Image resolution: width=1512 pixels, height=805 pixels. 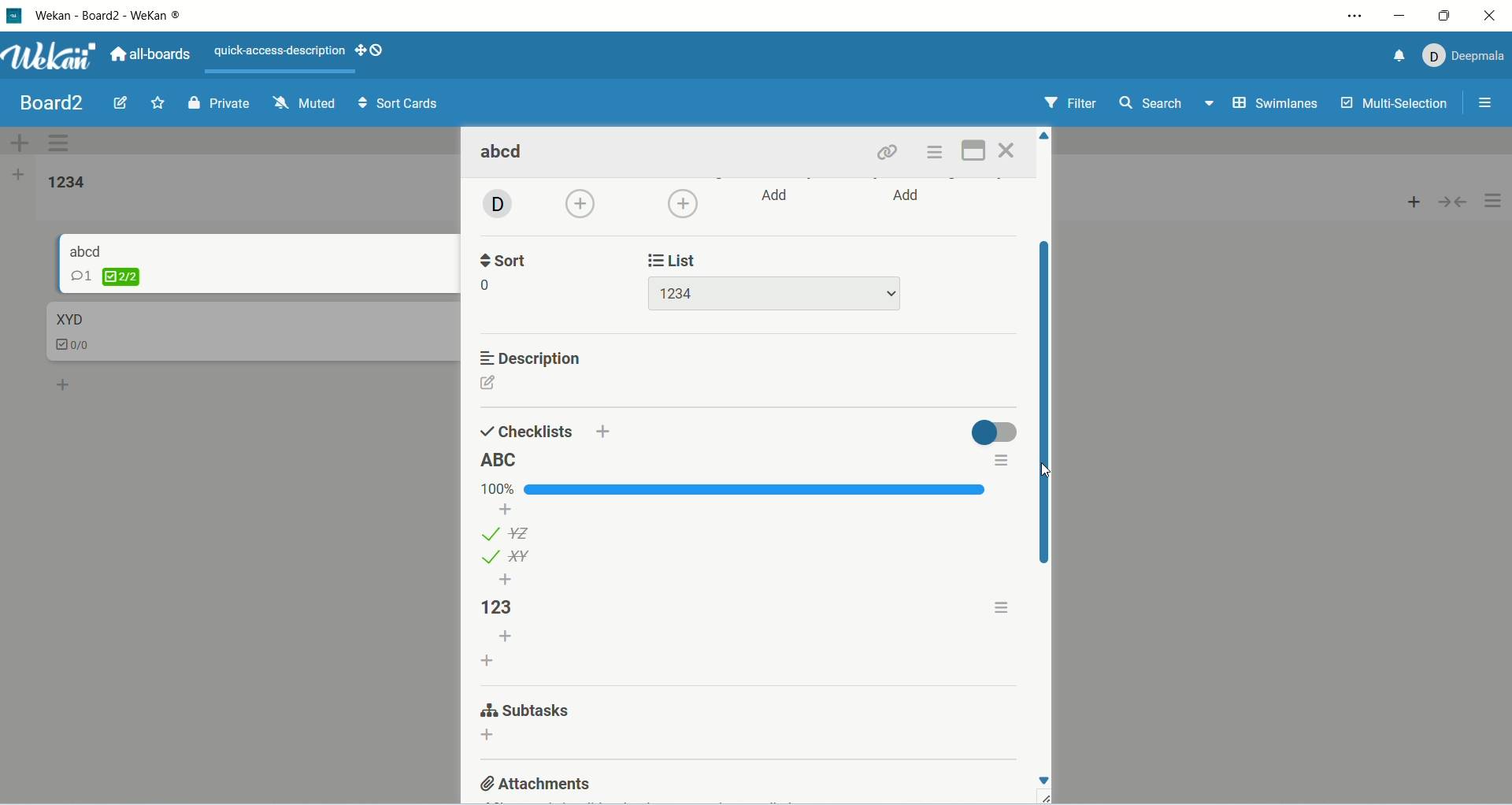 I want to click on muted, so click(x=306, y=102).